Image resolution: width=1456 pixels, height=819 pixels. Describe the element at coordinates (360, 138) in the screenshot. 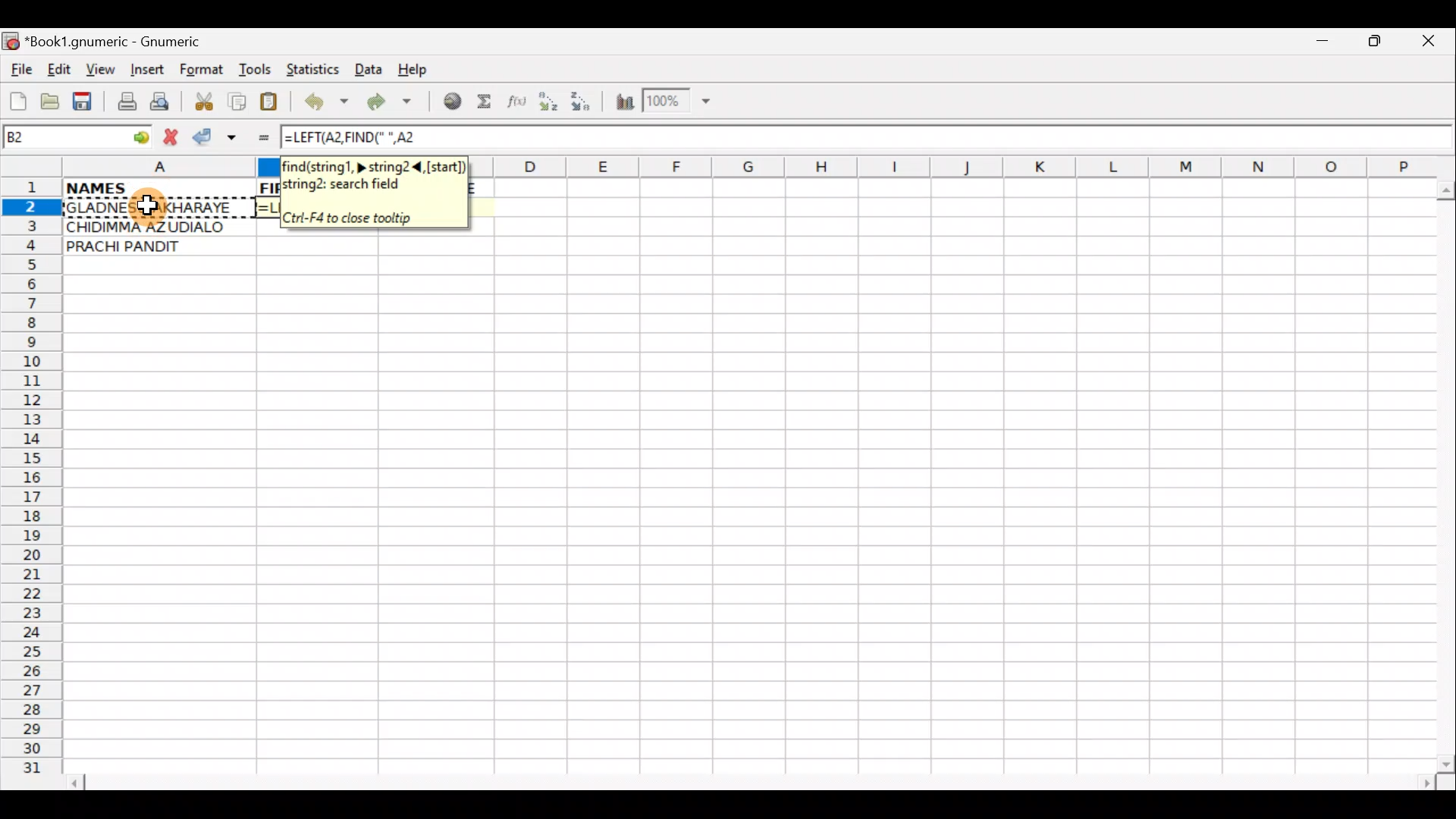

I see `=LEFT(A2,FIND(" ",A2` at that location.